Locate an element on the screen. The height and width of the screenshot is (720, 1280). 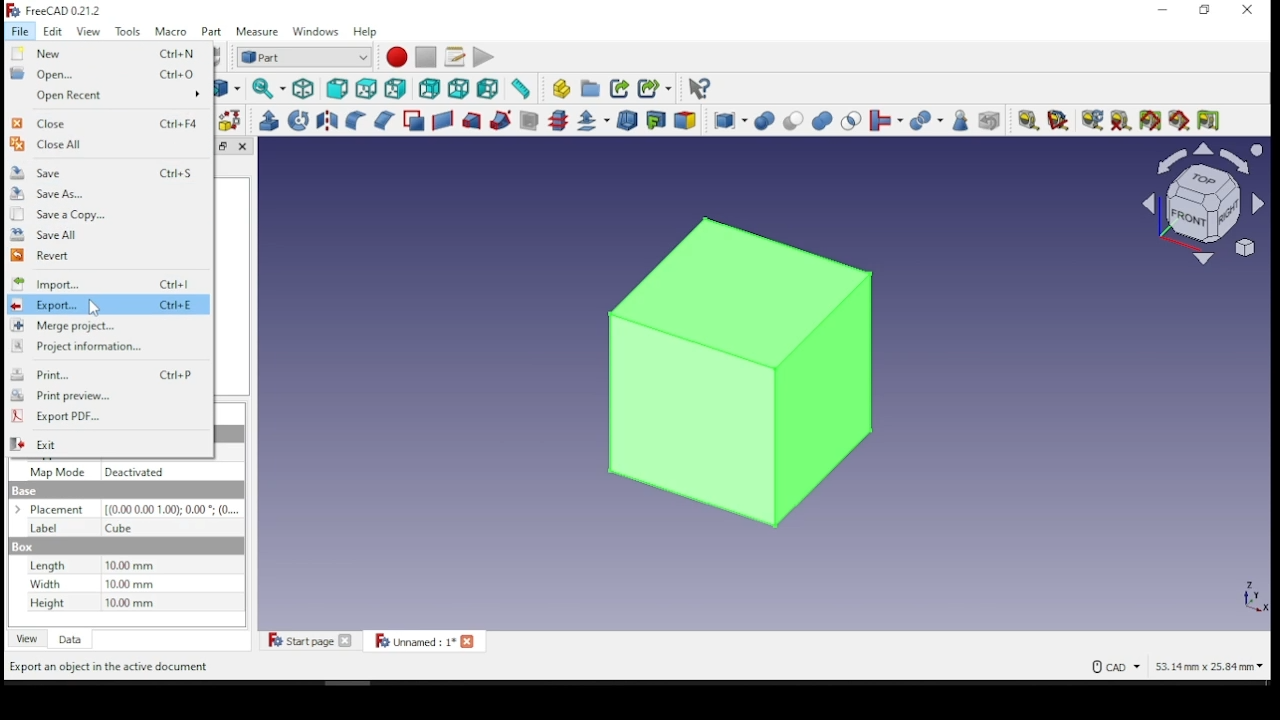
revert is located at coordinates (86, 256).